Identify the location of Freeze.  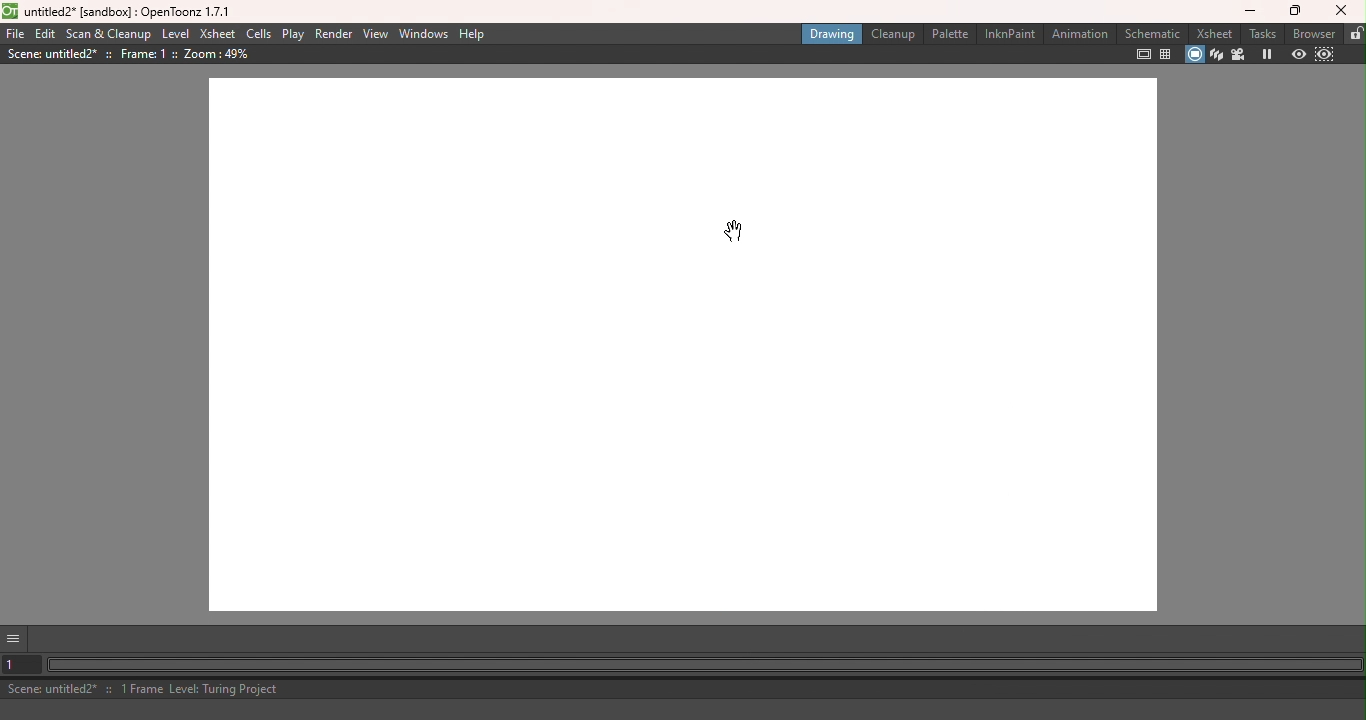
(1262, 54).